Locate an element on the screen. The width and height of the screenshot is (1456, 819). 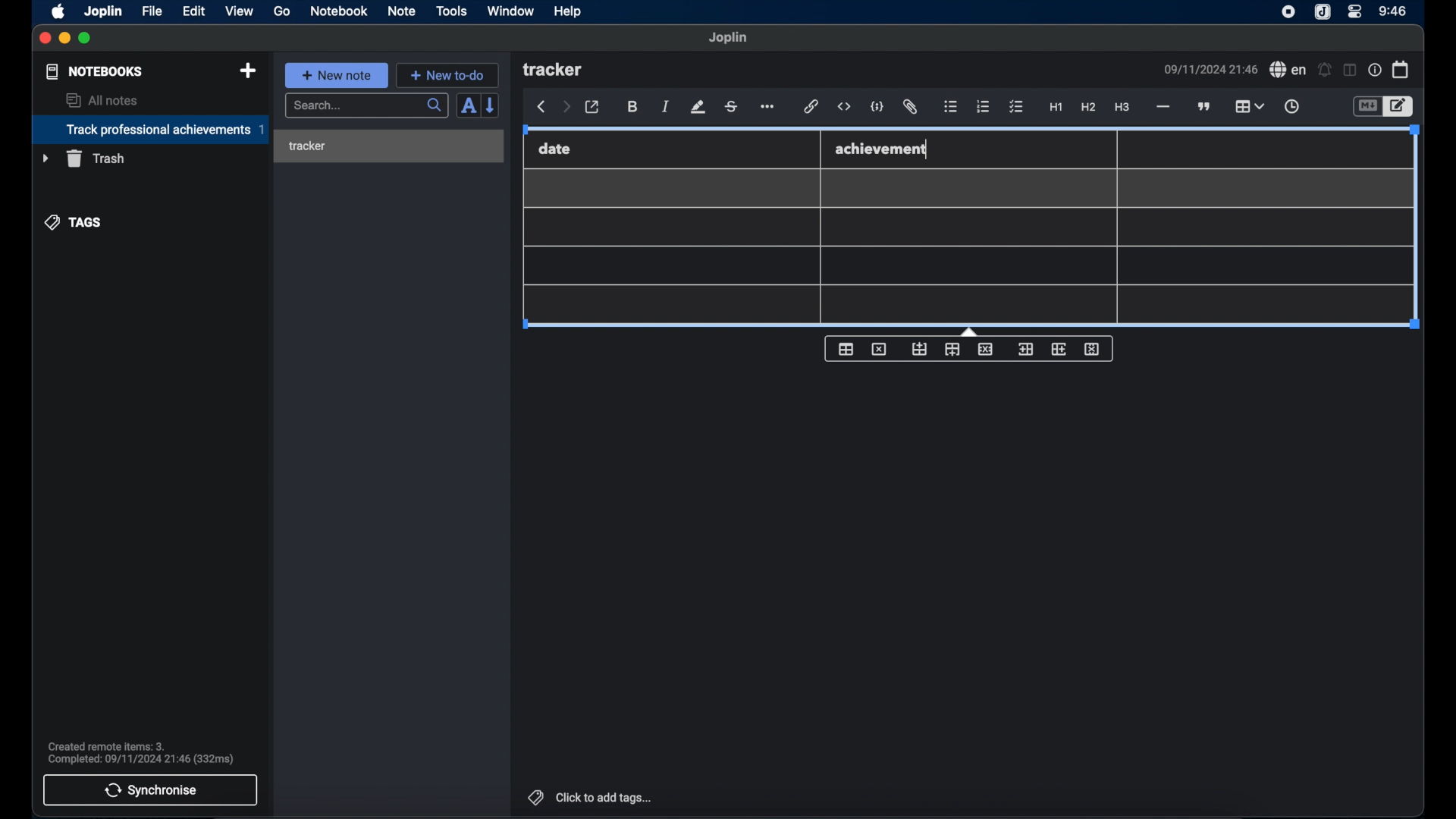
synchronise is located at coordinates (151, 790).